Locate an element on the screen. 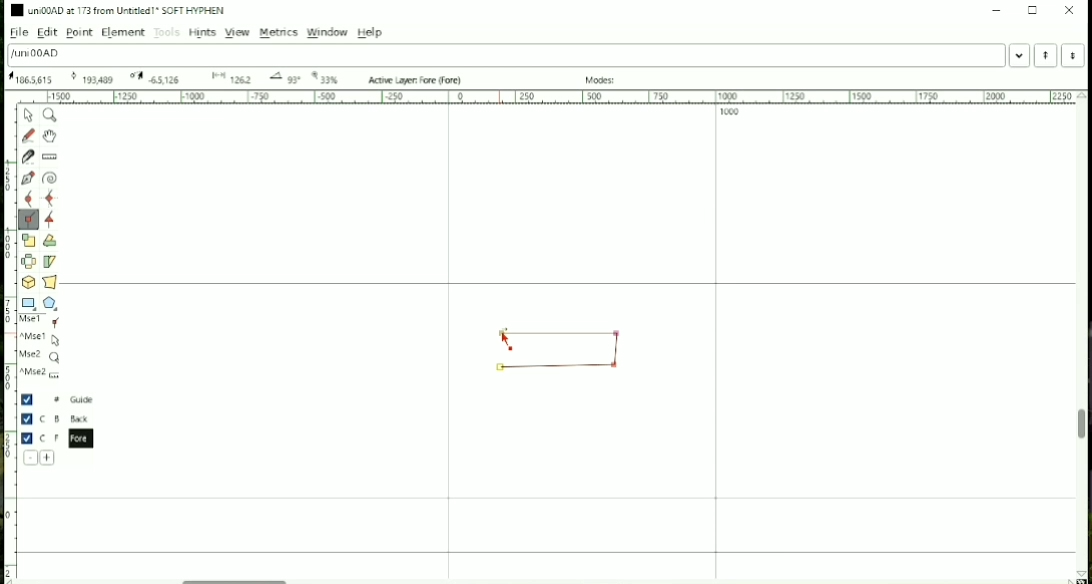  Draw a freehand curve is located at coordinates (28, 135).